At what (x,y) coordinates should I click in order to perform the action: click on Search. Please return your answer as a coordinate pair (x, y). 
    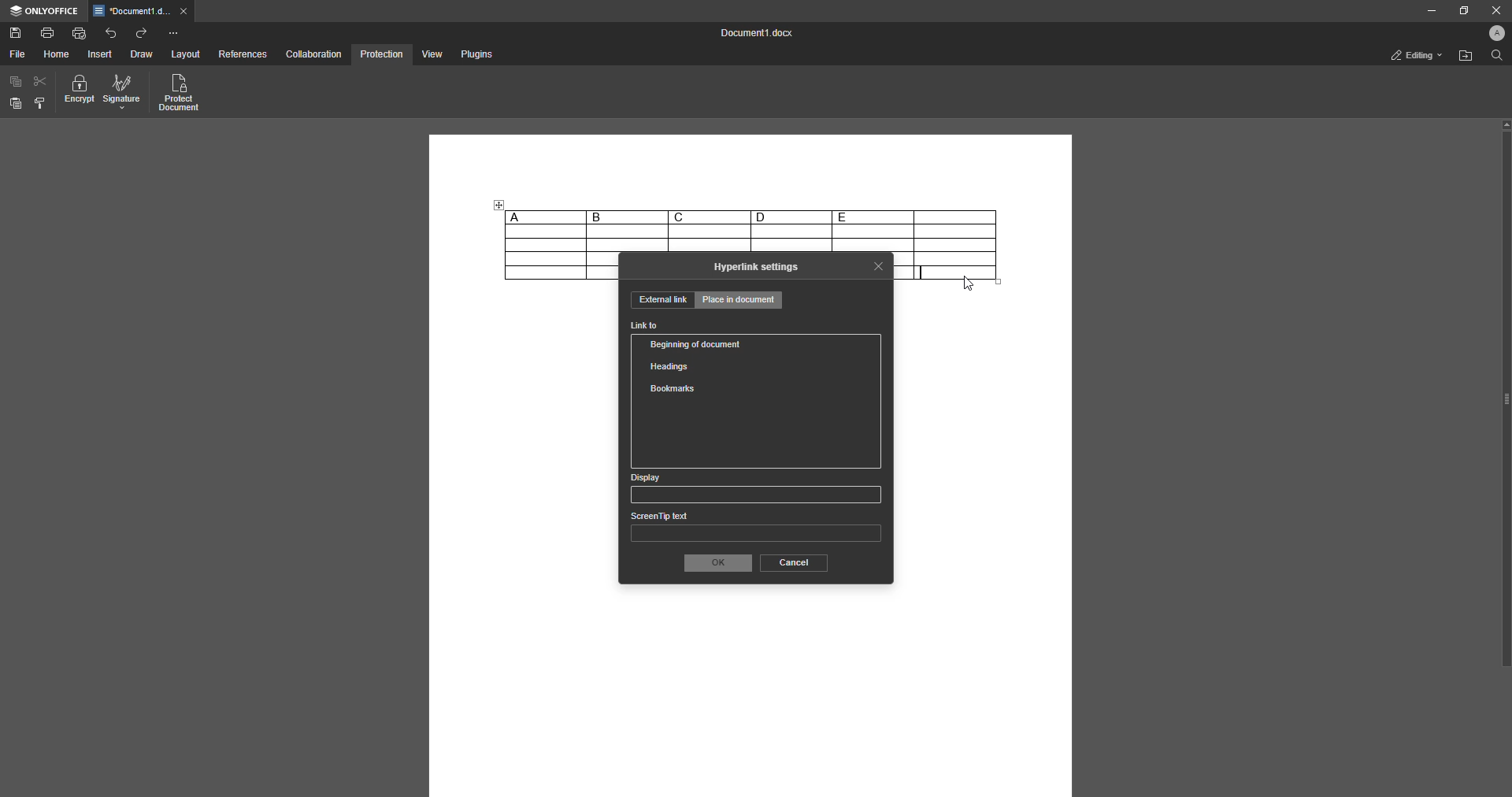
    Looking at the image, I should click on (1495, 57).